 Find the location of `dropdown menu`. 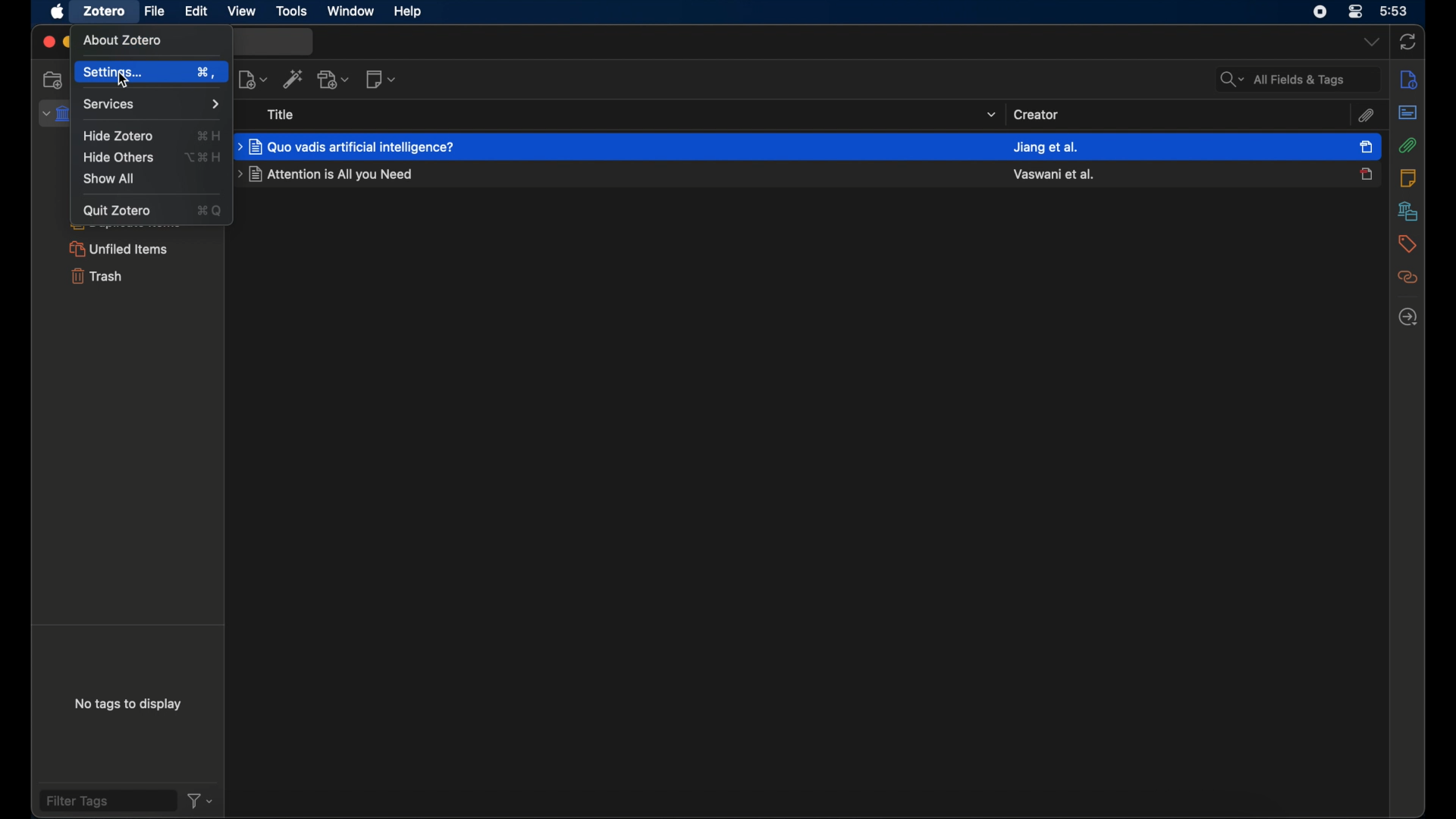

dropdown menu is located at coordinates (991, 115).